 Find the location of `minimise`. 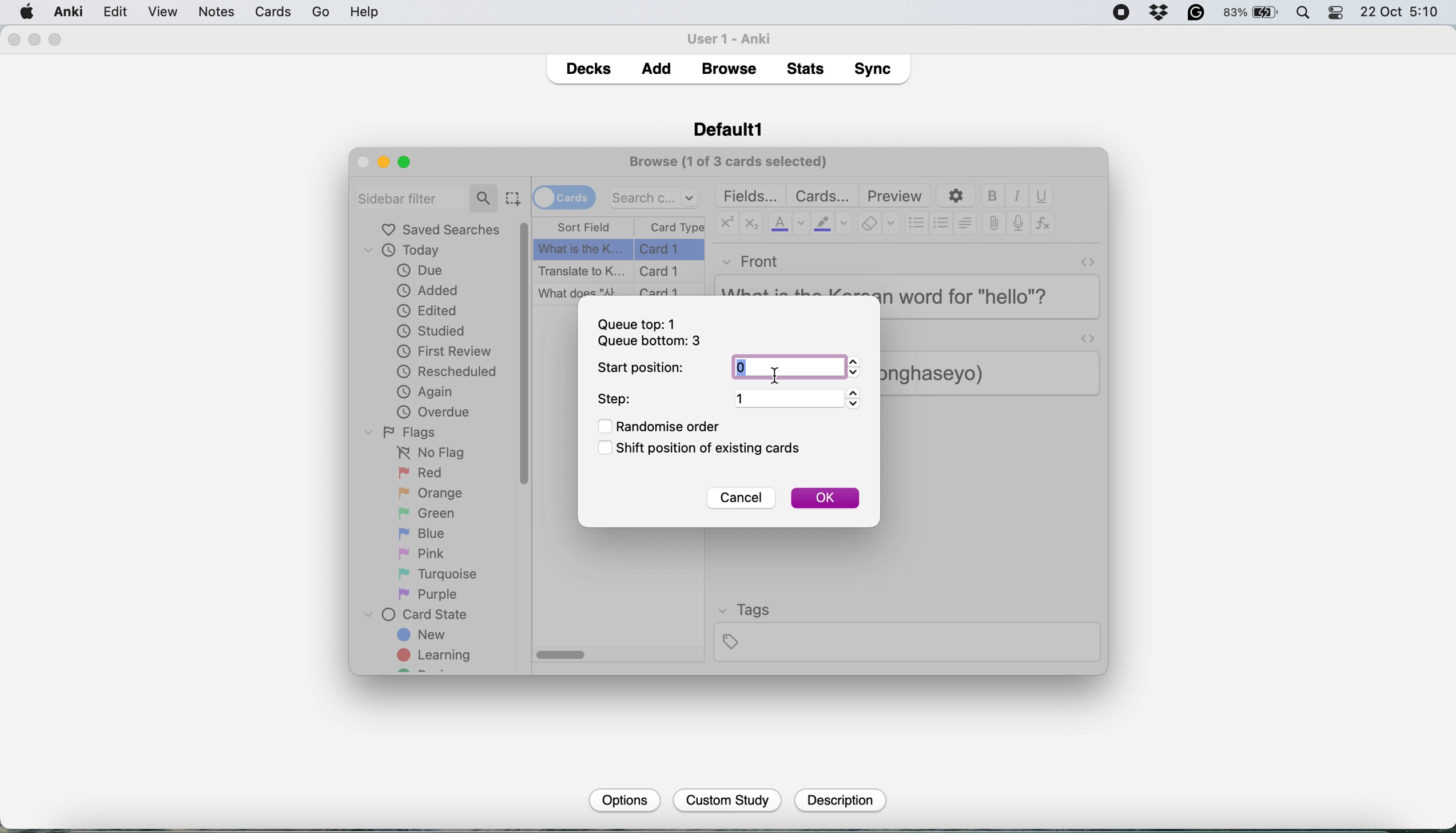

minimise is located at coordinates (35, 39).